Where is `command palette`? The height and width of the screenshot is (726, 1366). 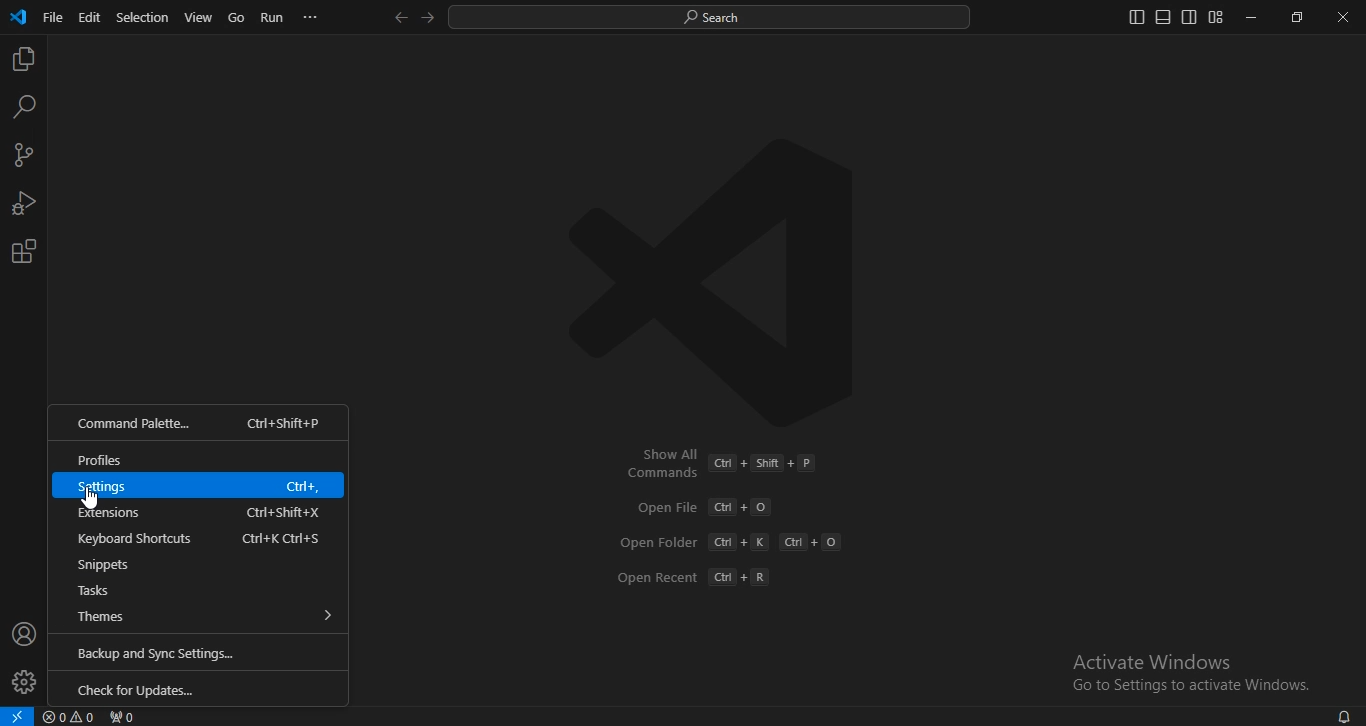 command palette is located at coordinates (198, 423).